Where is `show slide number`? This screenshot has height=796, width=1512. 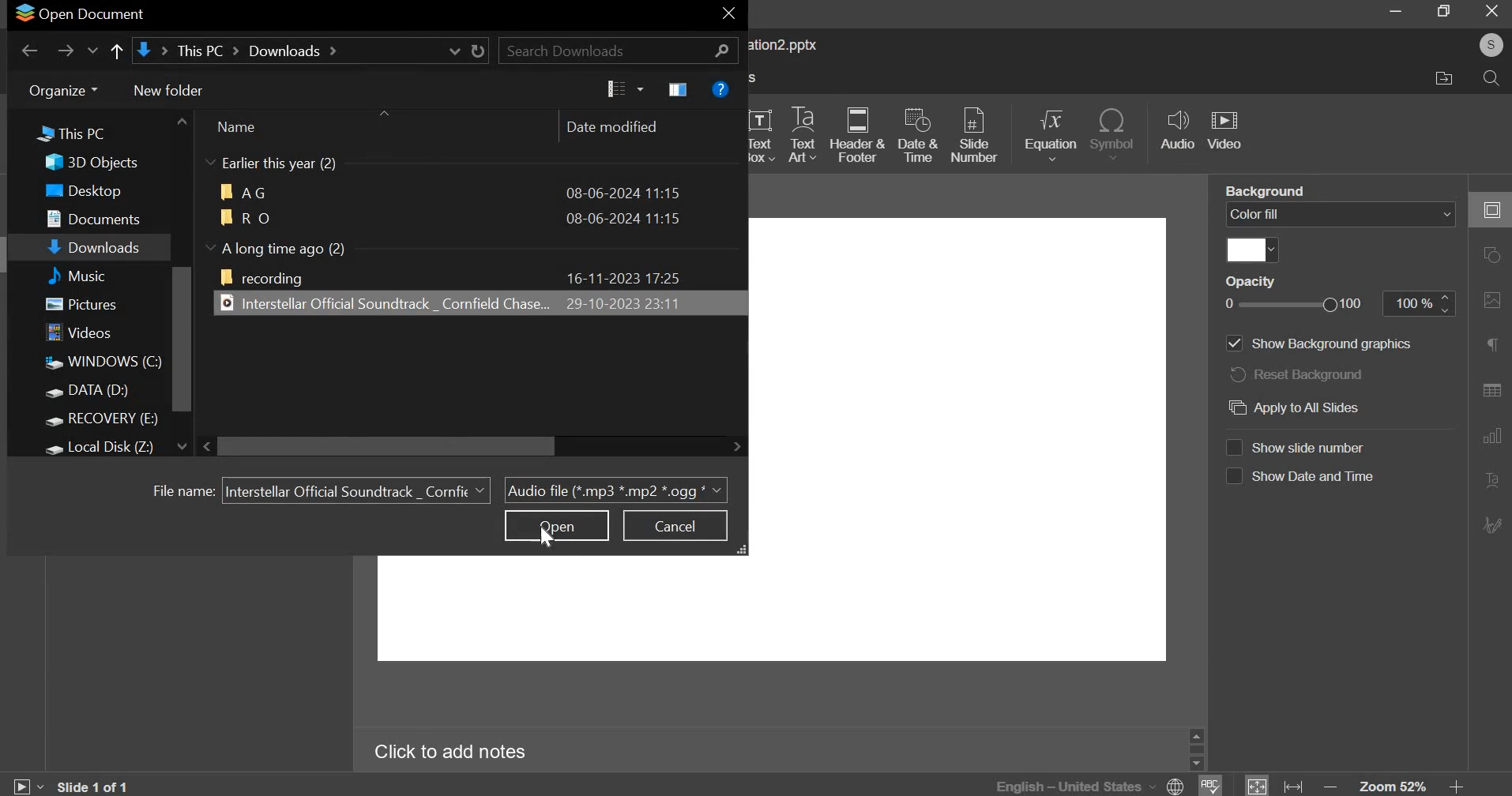
show slide number is located at coordinates (1303, 447).